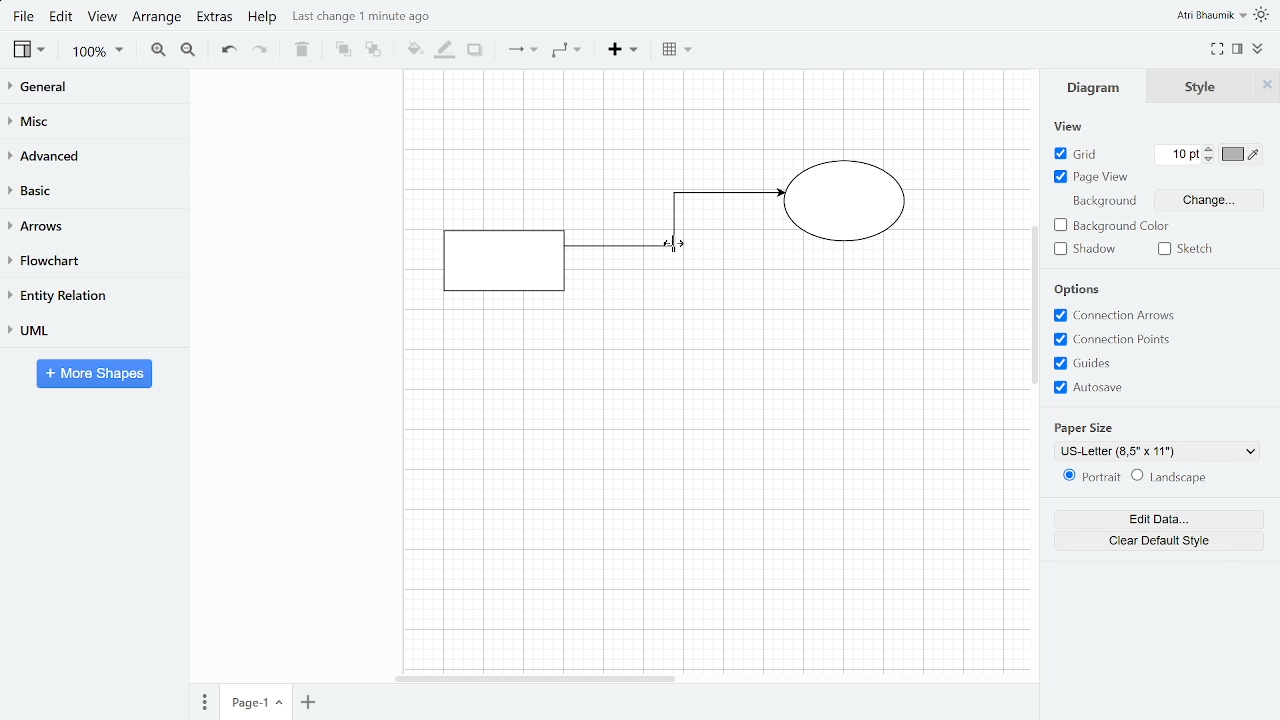  I want to click on More shapes, so click(96, 373).